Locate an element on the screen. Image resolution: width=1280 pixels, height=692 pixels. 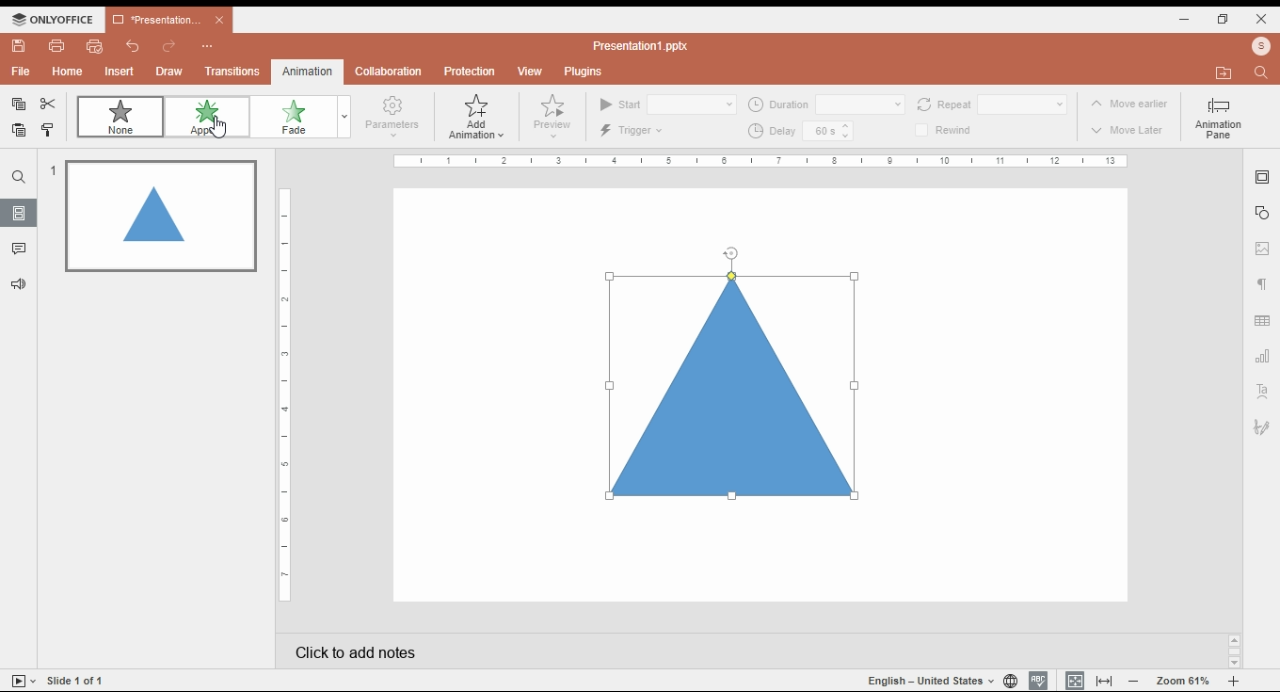
fit to slide is located at coordinates (1074, 681).